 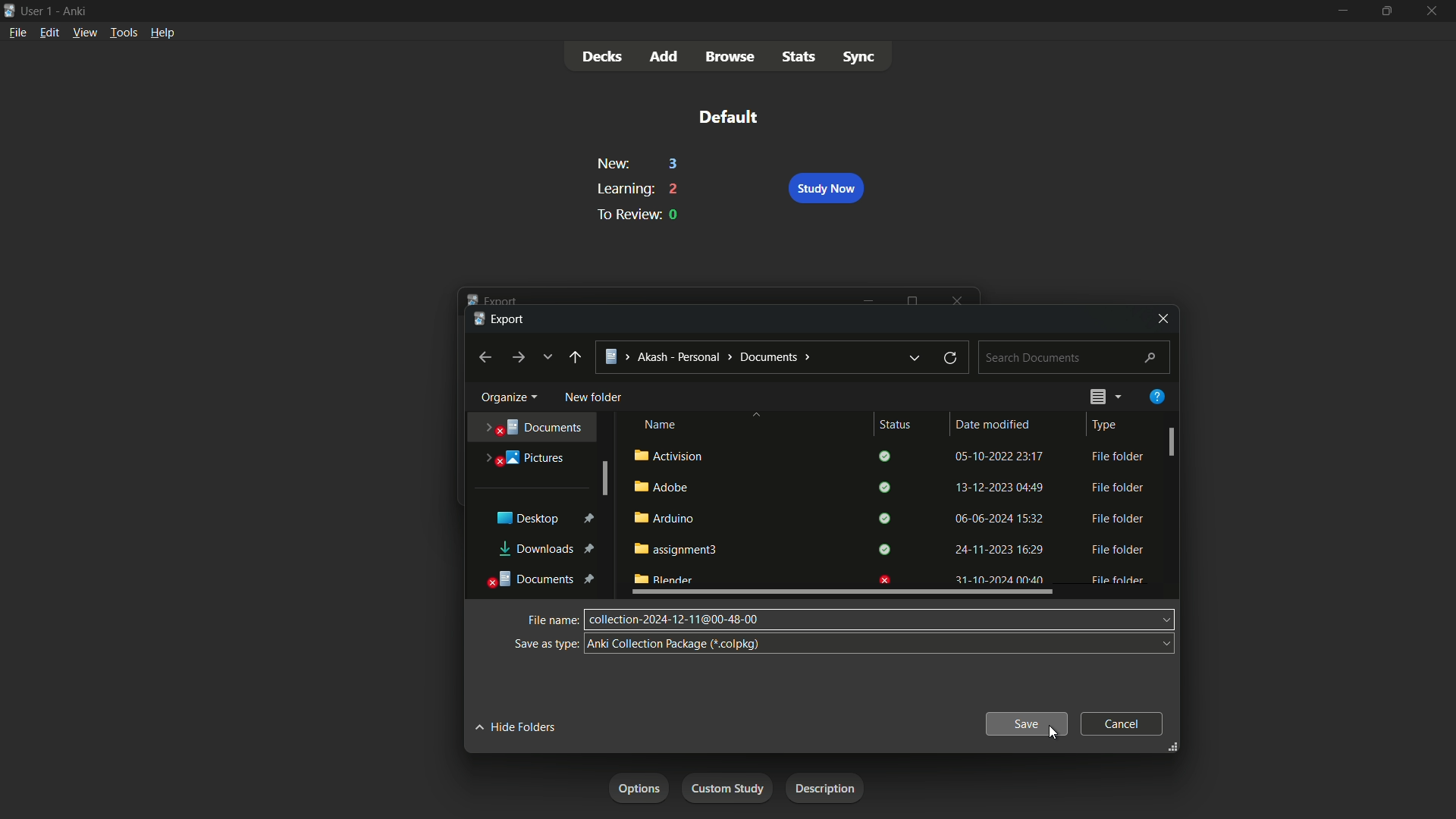 I want to click on organize, so click(x=506, y=397).